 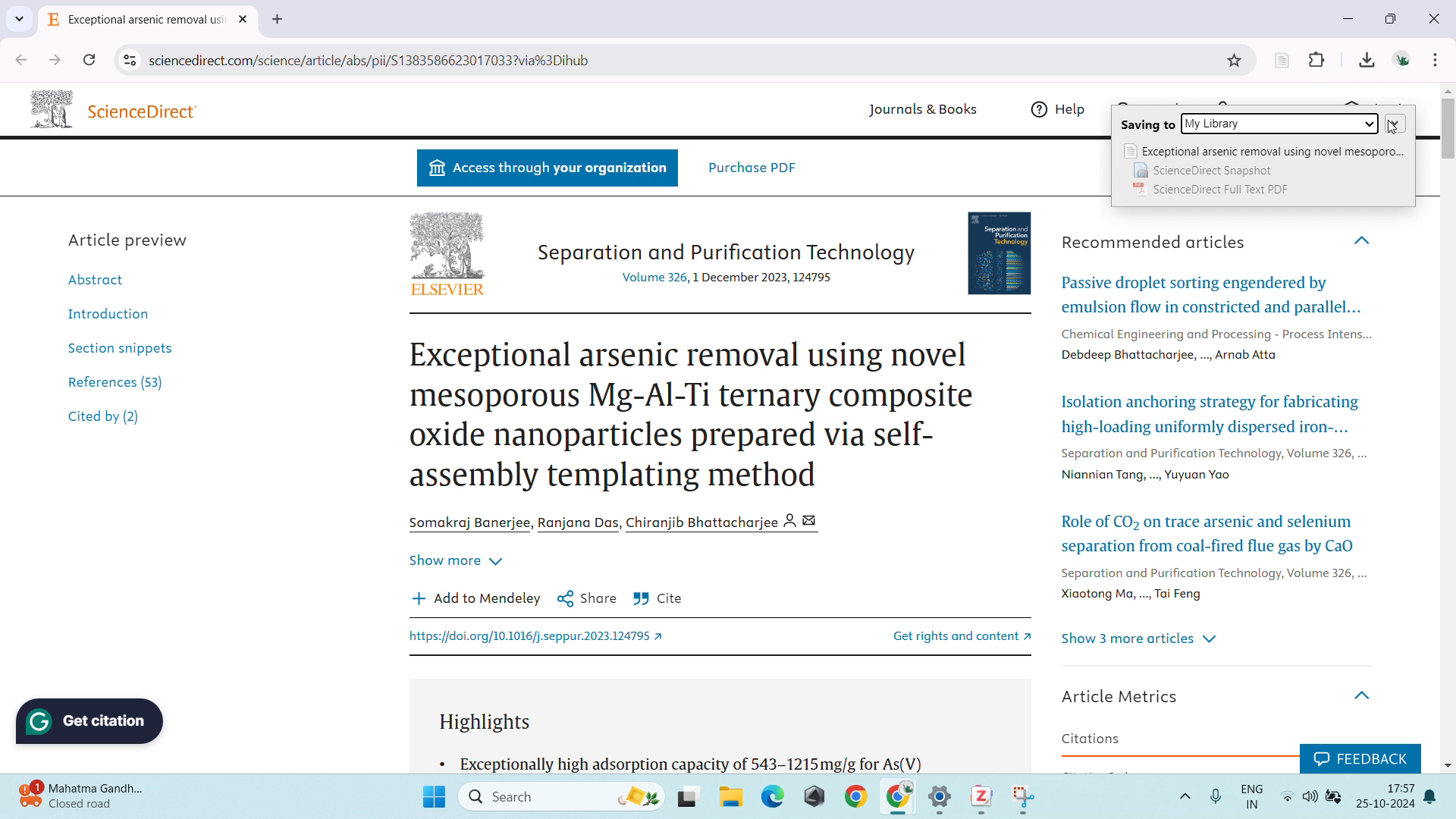 I want to click on Cursor, so click(x=1393, y=128).